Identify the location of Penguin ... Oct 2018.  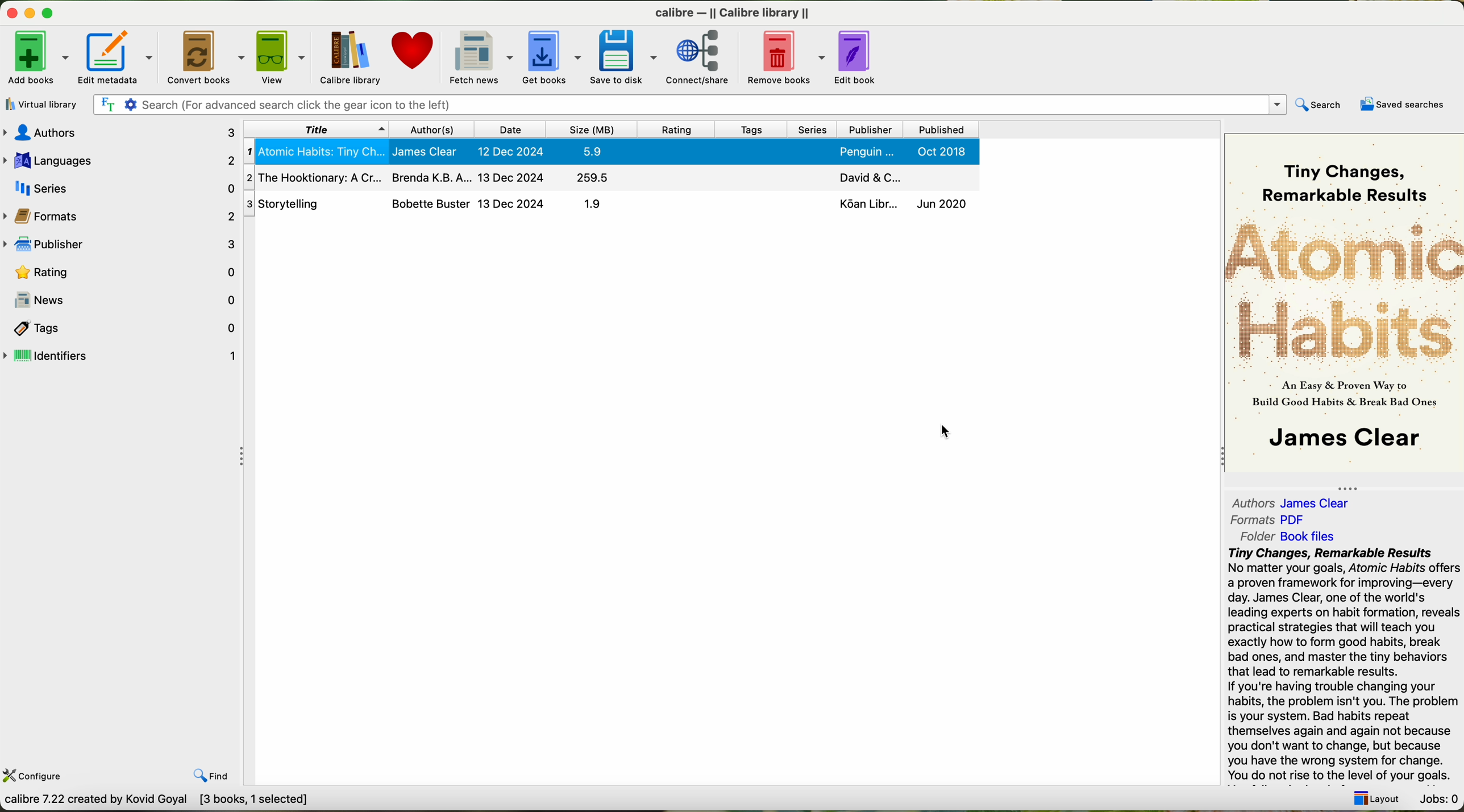
(902, 153).